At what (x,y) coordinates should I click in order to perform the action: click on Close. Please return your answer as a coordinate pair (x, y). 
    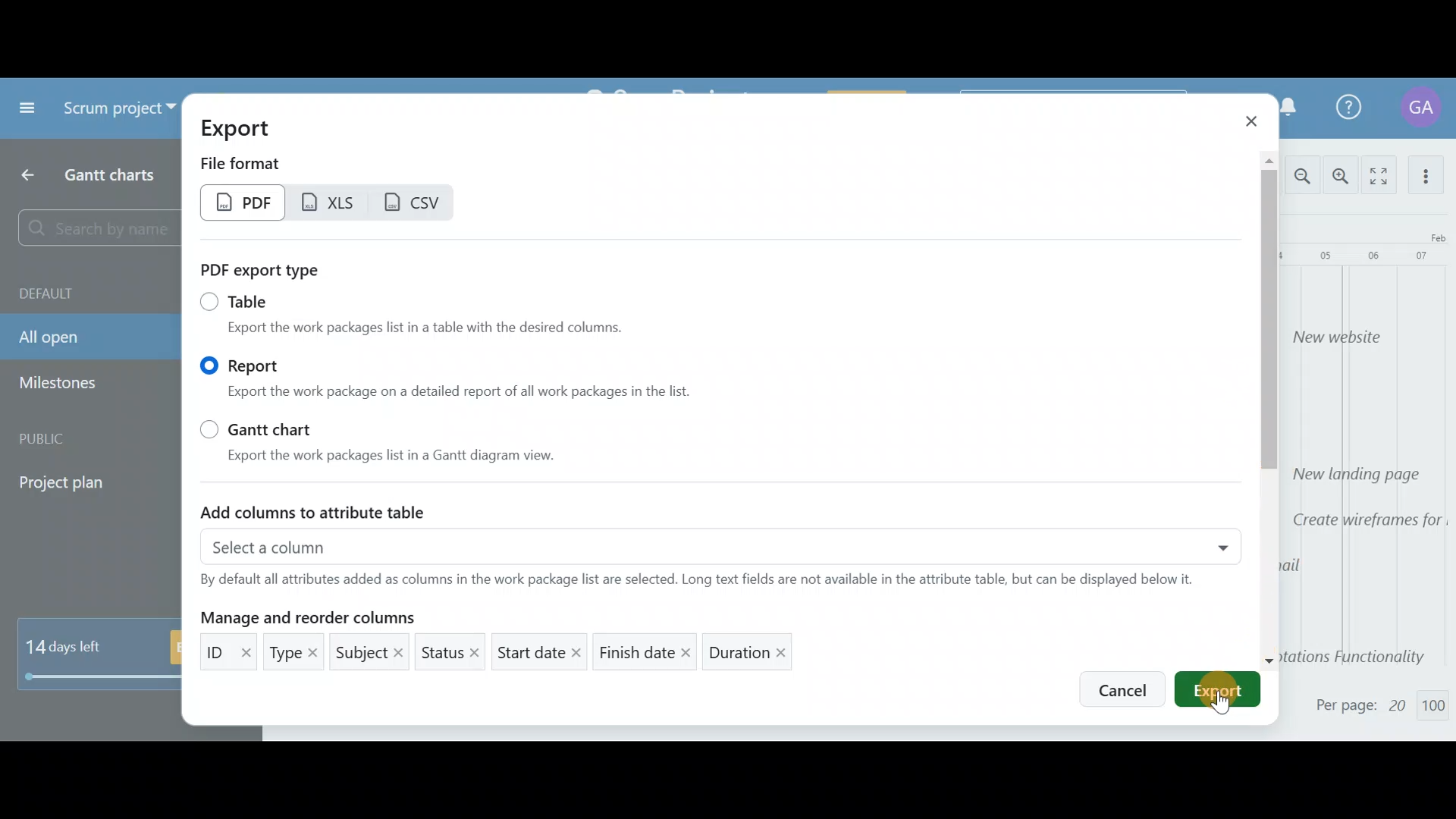
    Looking at the image, I should click on (1247, 122).